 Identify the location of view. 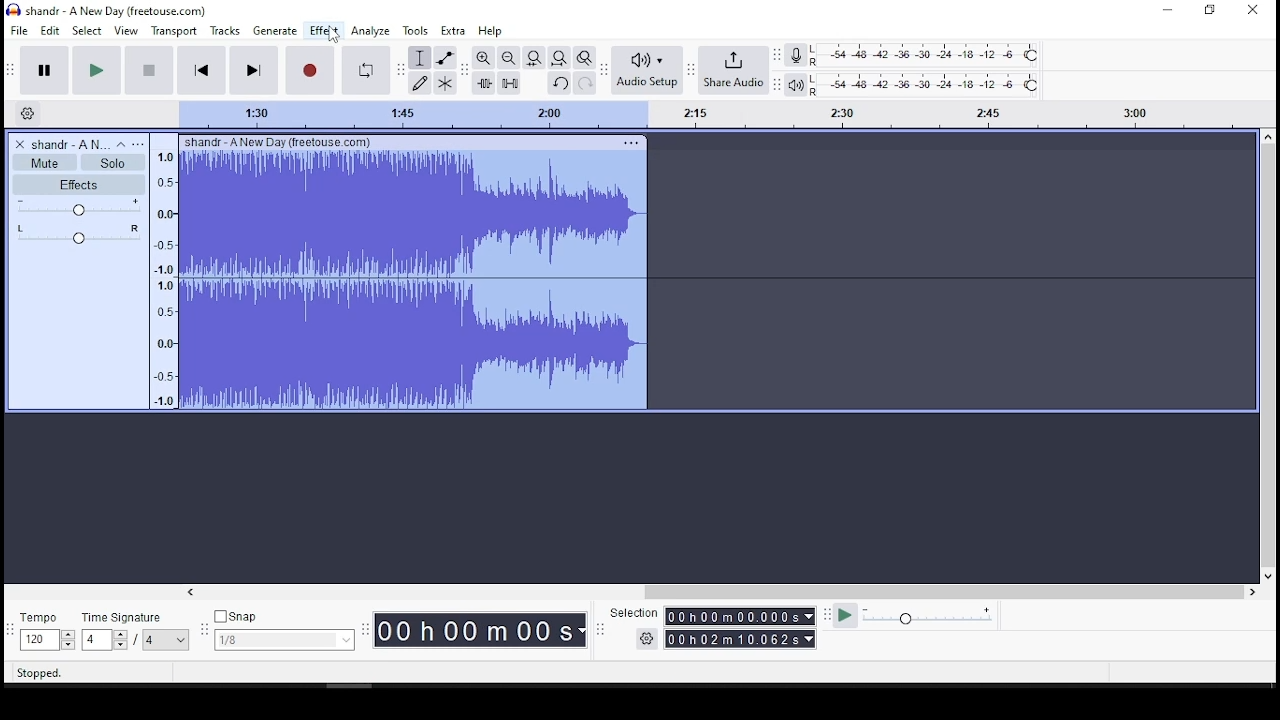
(127, 31).